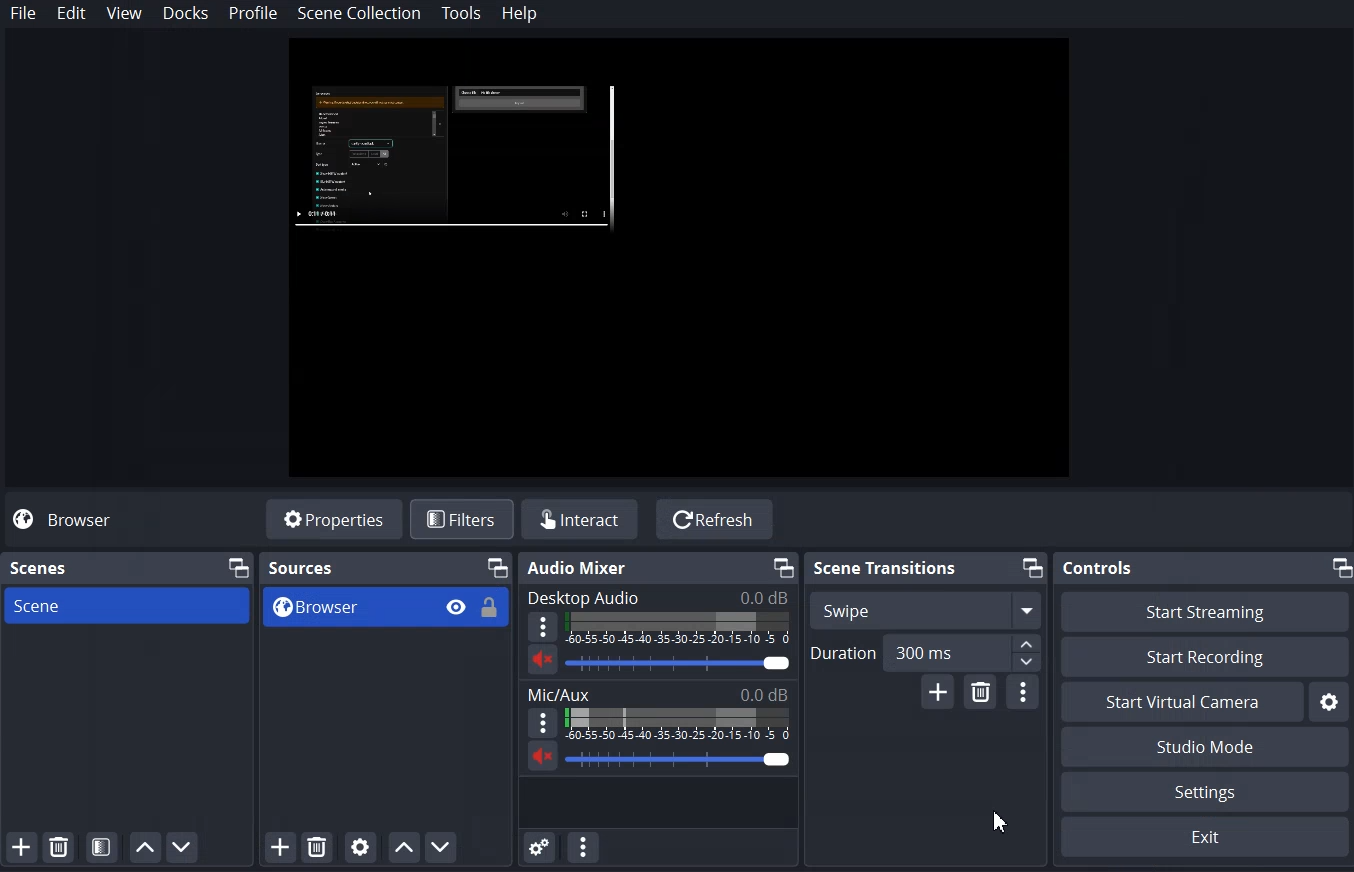 Image resolution: width=1354 pixels, height=872 pixels. I want to click on Help, so click(520, 14).